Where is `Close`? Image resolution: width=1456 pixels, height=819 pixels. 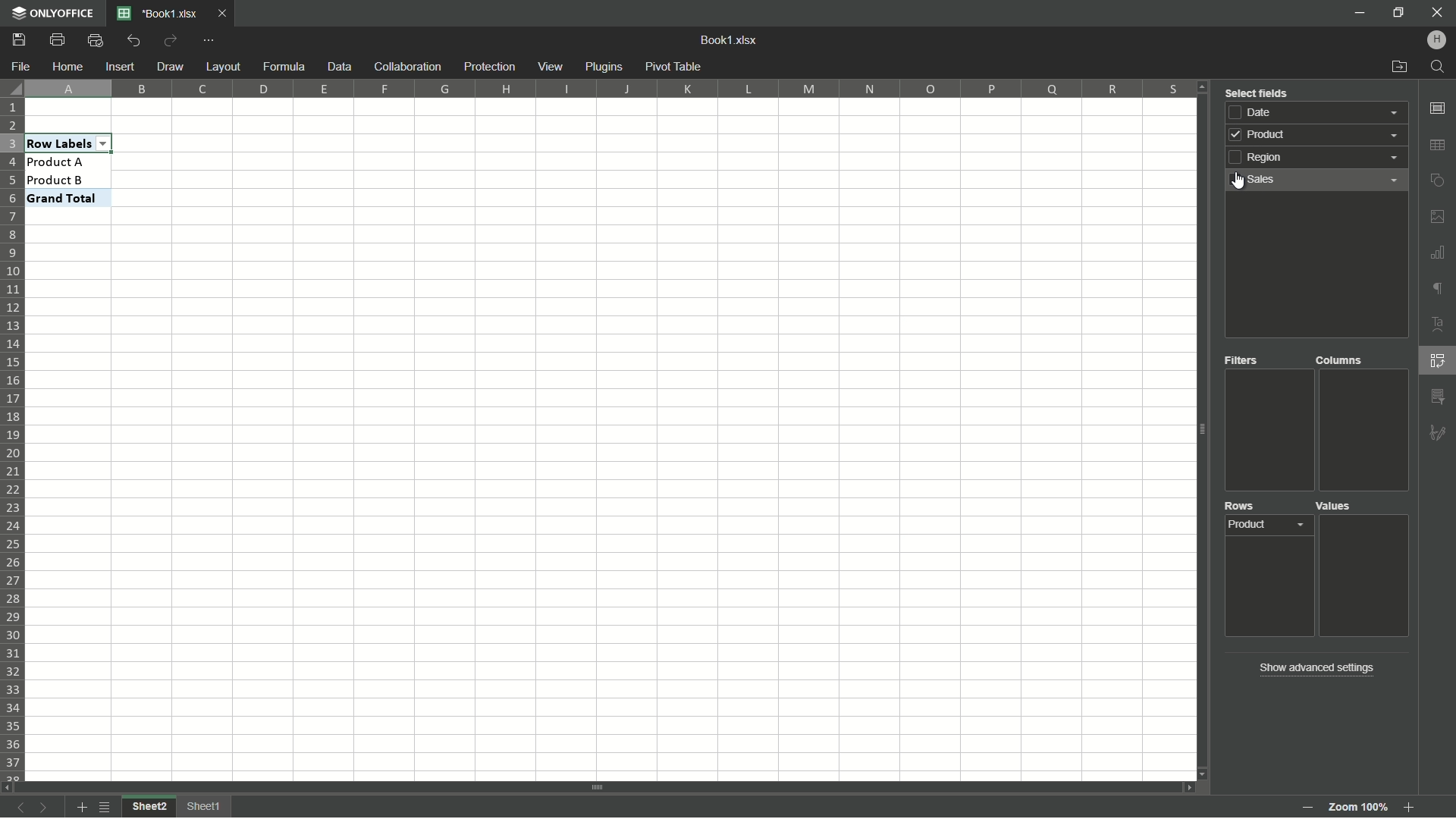
Close is located at coordinates (225, 15).